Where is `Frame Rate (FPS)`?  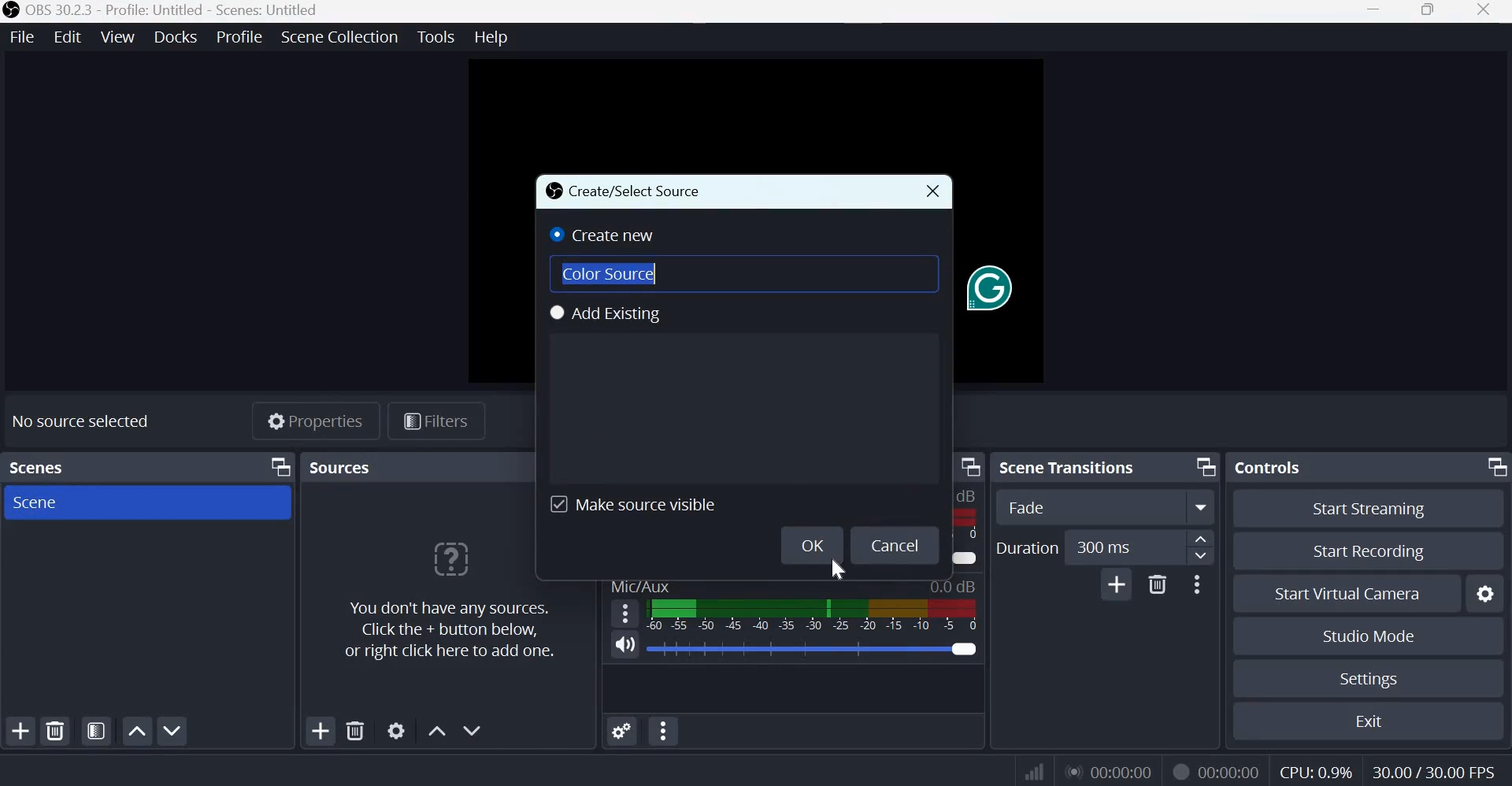 Frame Rate (FPS) is located at coordinates (1429, 770).